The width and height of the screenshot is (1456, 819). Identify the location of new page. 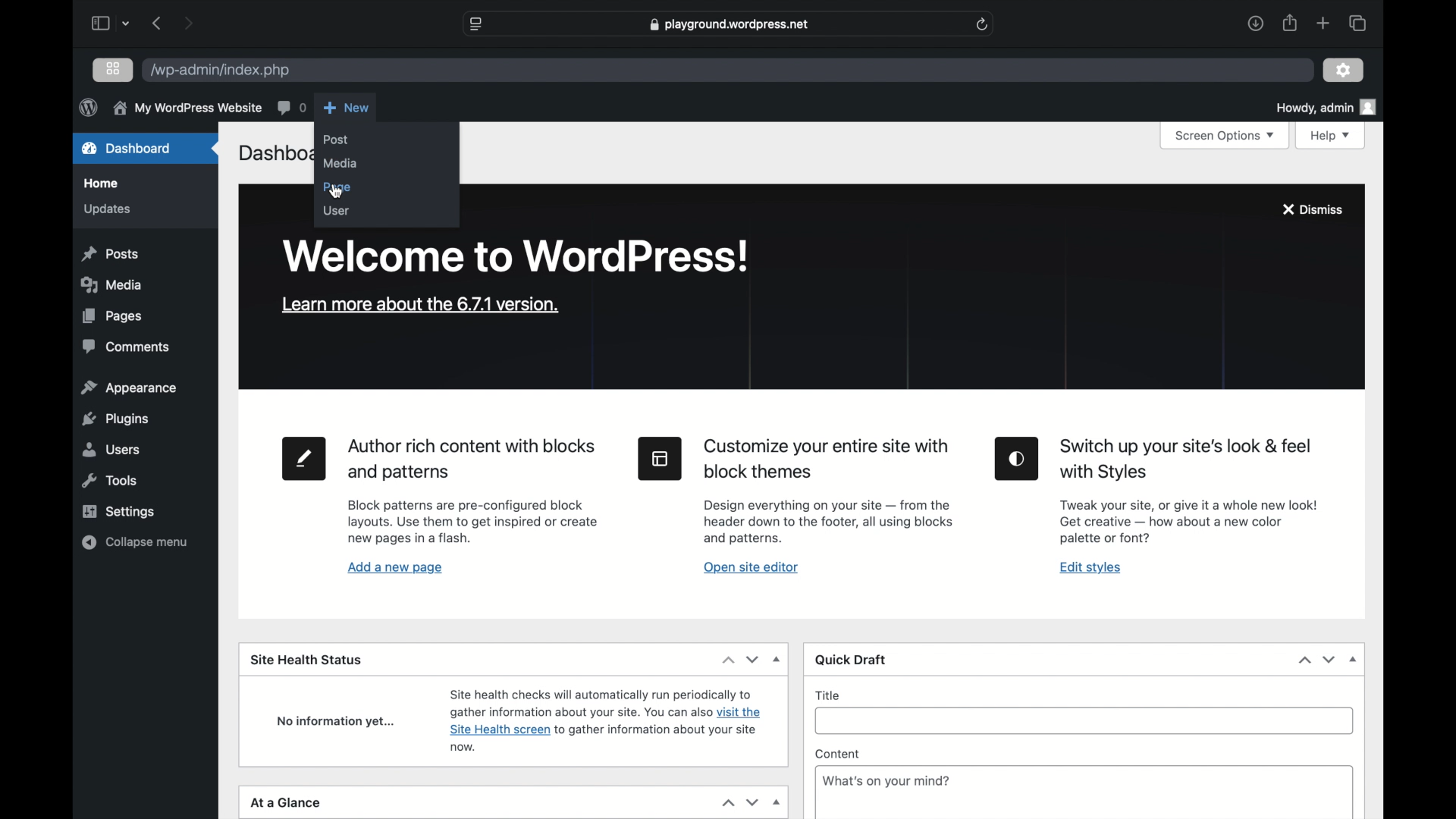
(304, 458).